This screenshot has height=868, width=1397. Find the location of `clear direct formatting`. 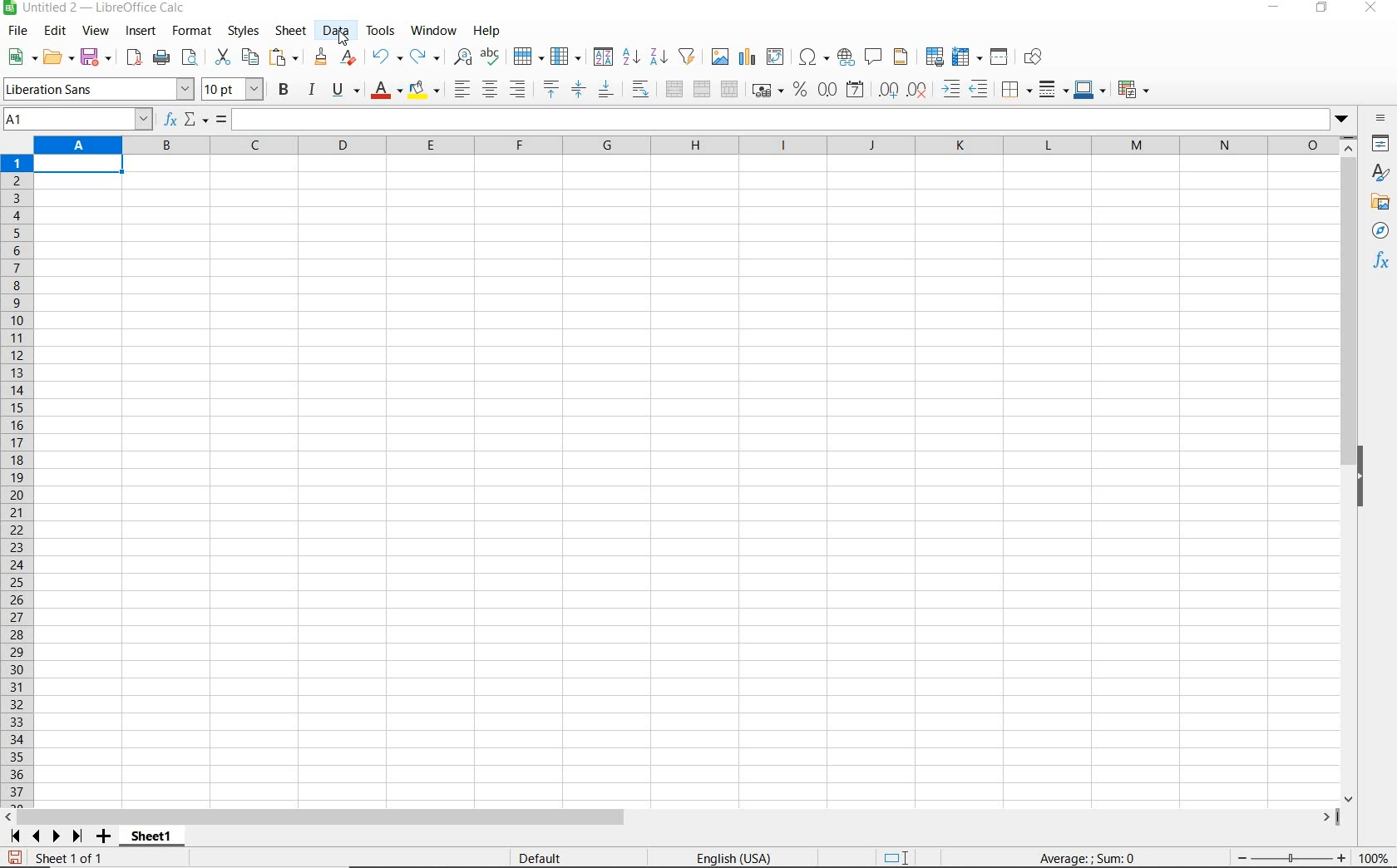

clear direct formatting is located at coordinates (350, 57).